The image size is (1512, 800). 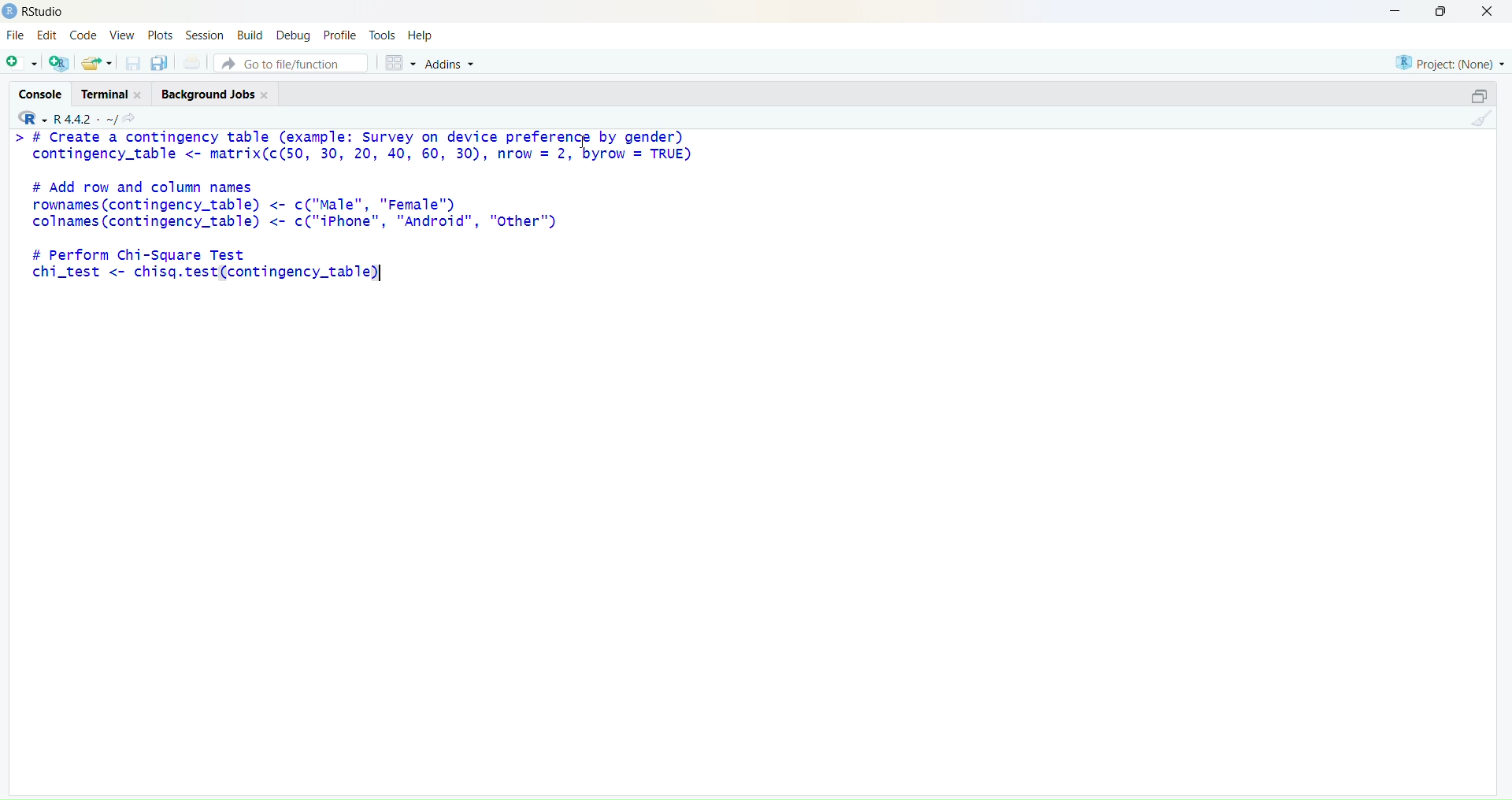 What do you see at coordinates (1450, 64) in the screenshot?
I see `project (none)` at bounding box center [1450, 64].